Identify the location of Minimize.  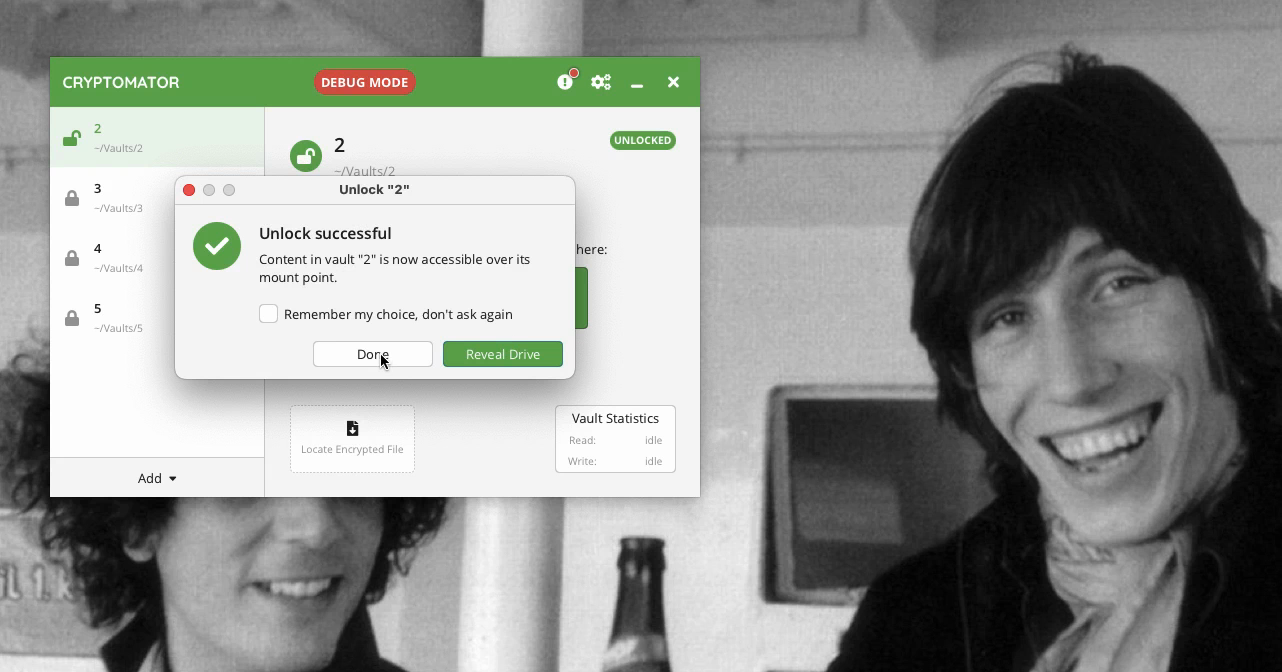
(636, 85).